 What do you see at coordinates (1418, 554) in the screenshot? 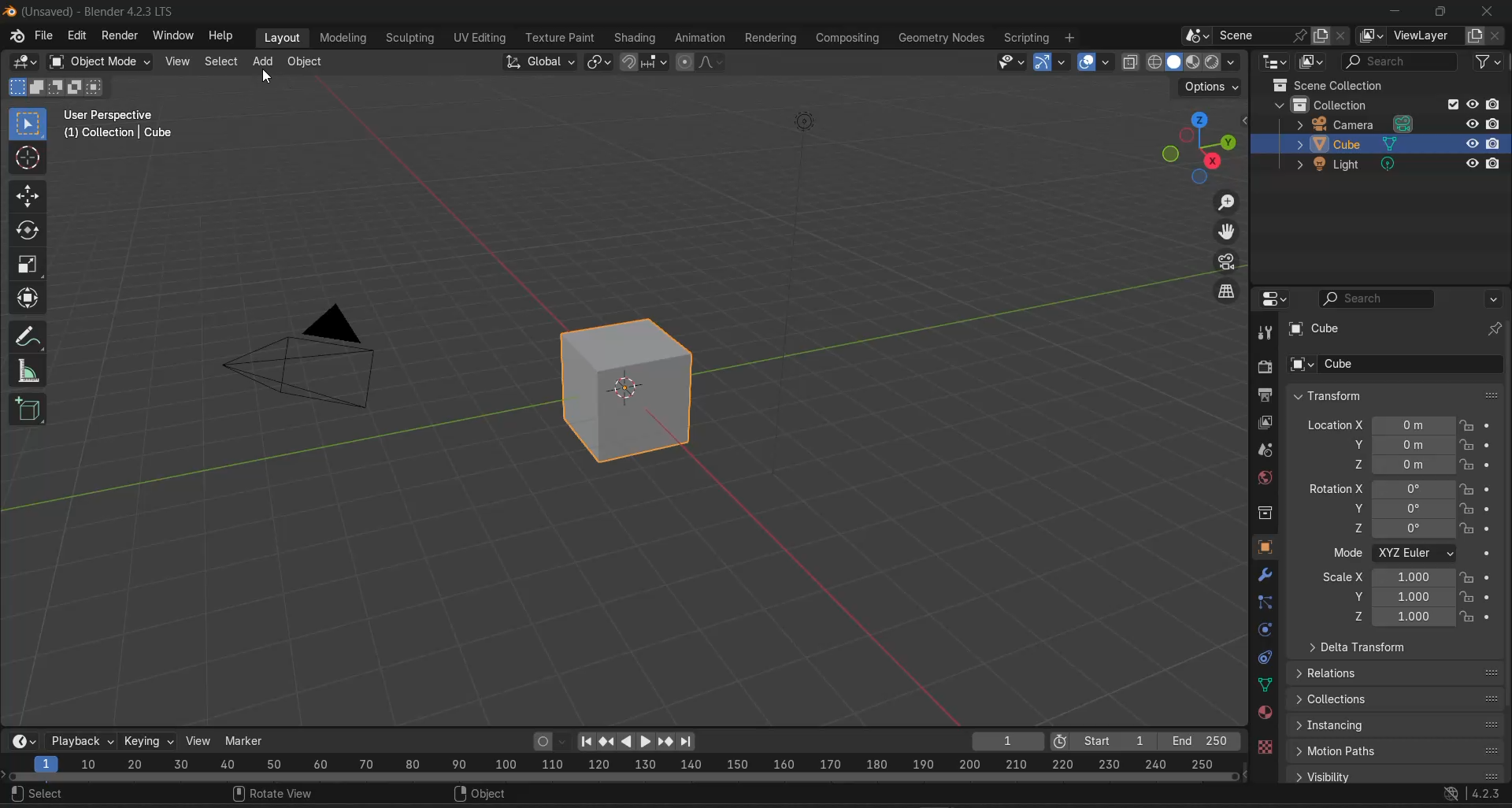
I see `rotation order` at bounding box center [1418, 554].